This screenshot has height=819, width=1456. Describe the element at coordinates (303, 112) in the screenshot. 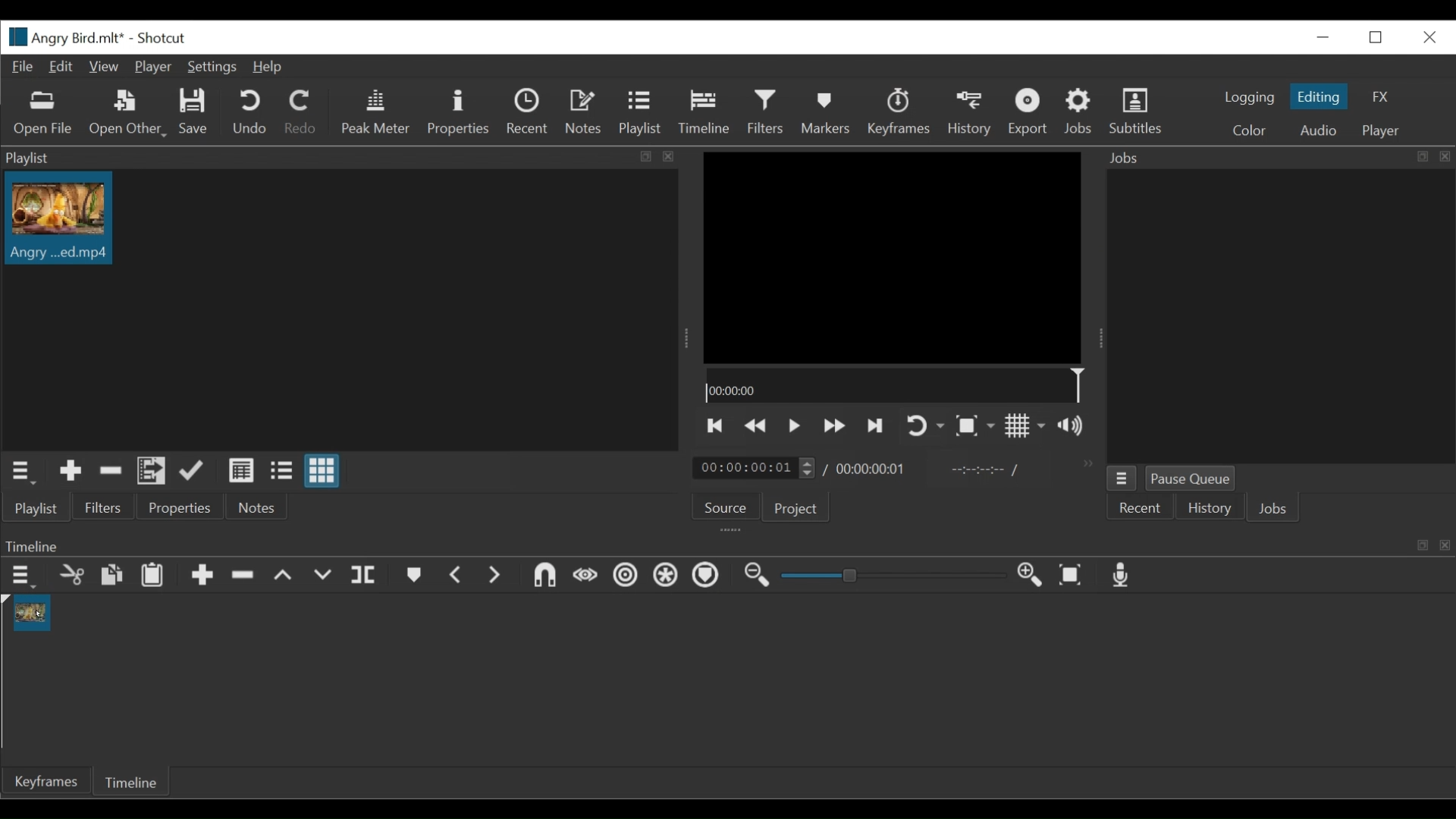

I see `Redo` at that location.